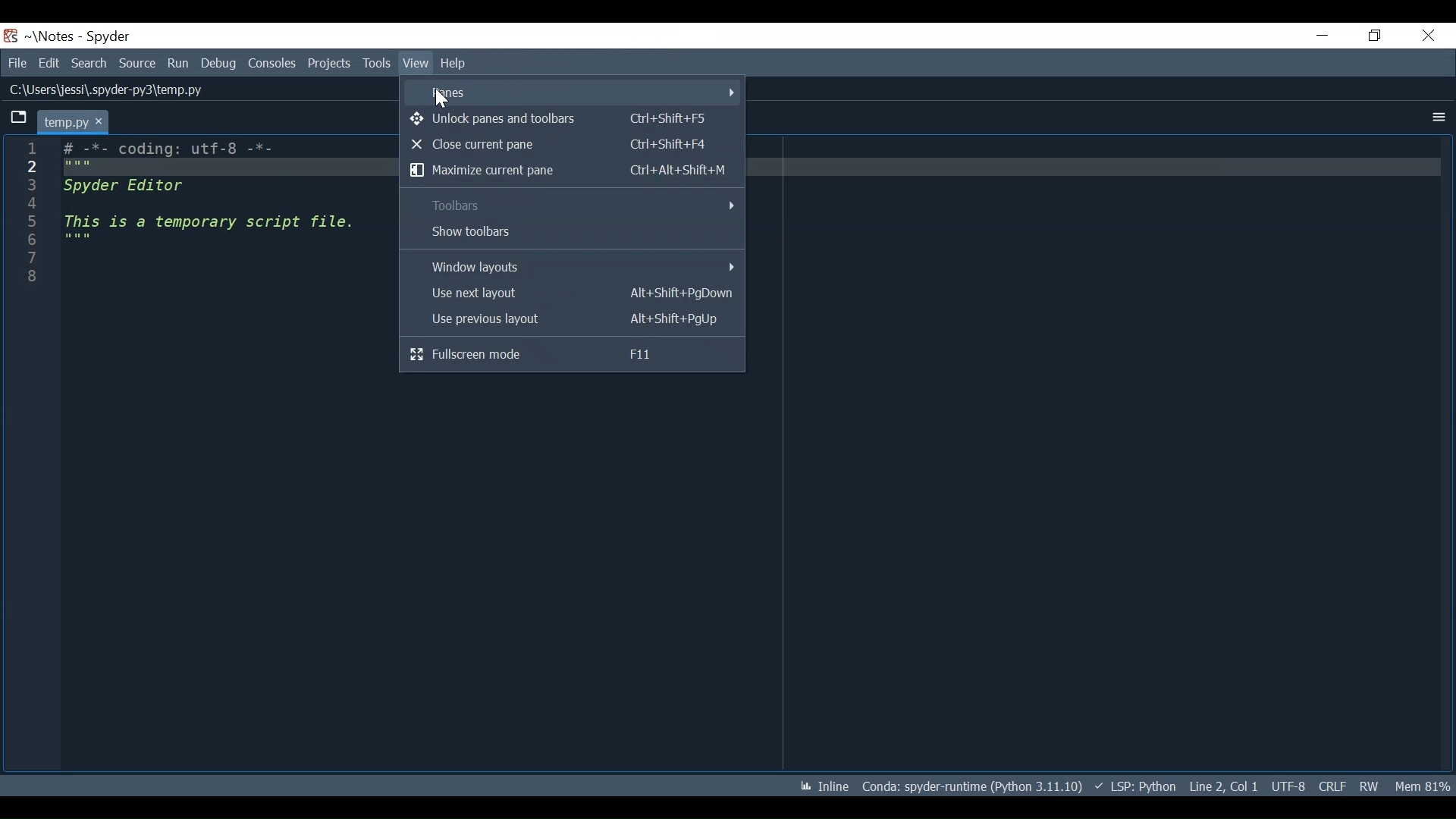 The width and height of the screenshot is (1456, 819). Describe the element at coordinates (971, 786) in the screenshot. I see `Conda Environment Indicator` at that location.